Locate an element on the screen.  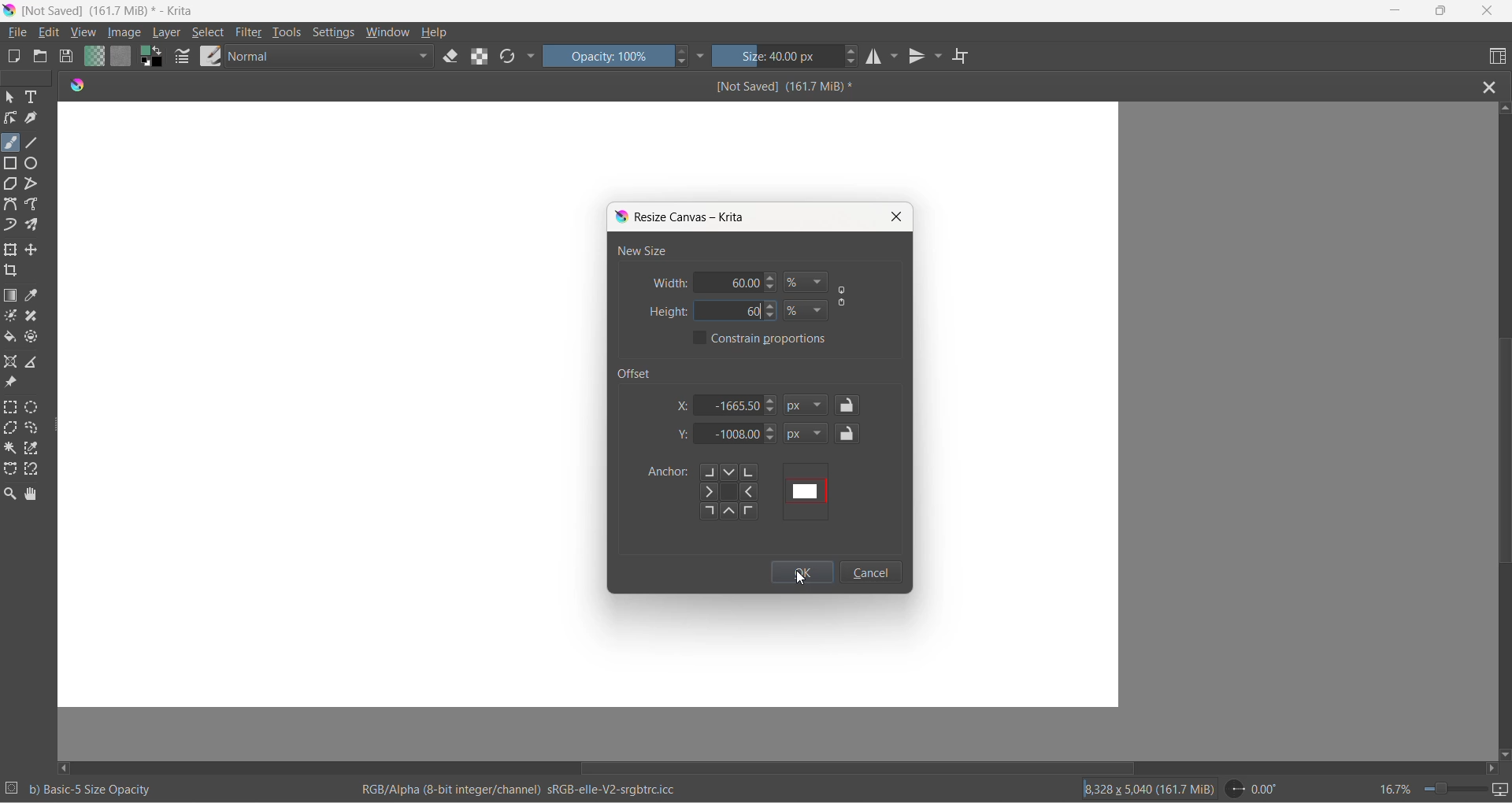
increment size is located at coordinates (853, 50).